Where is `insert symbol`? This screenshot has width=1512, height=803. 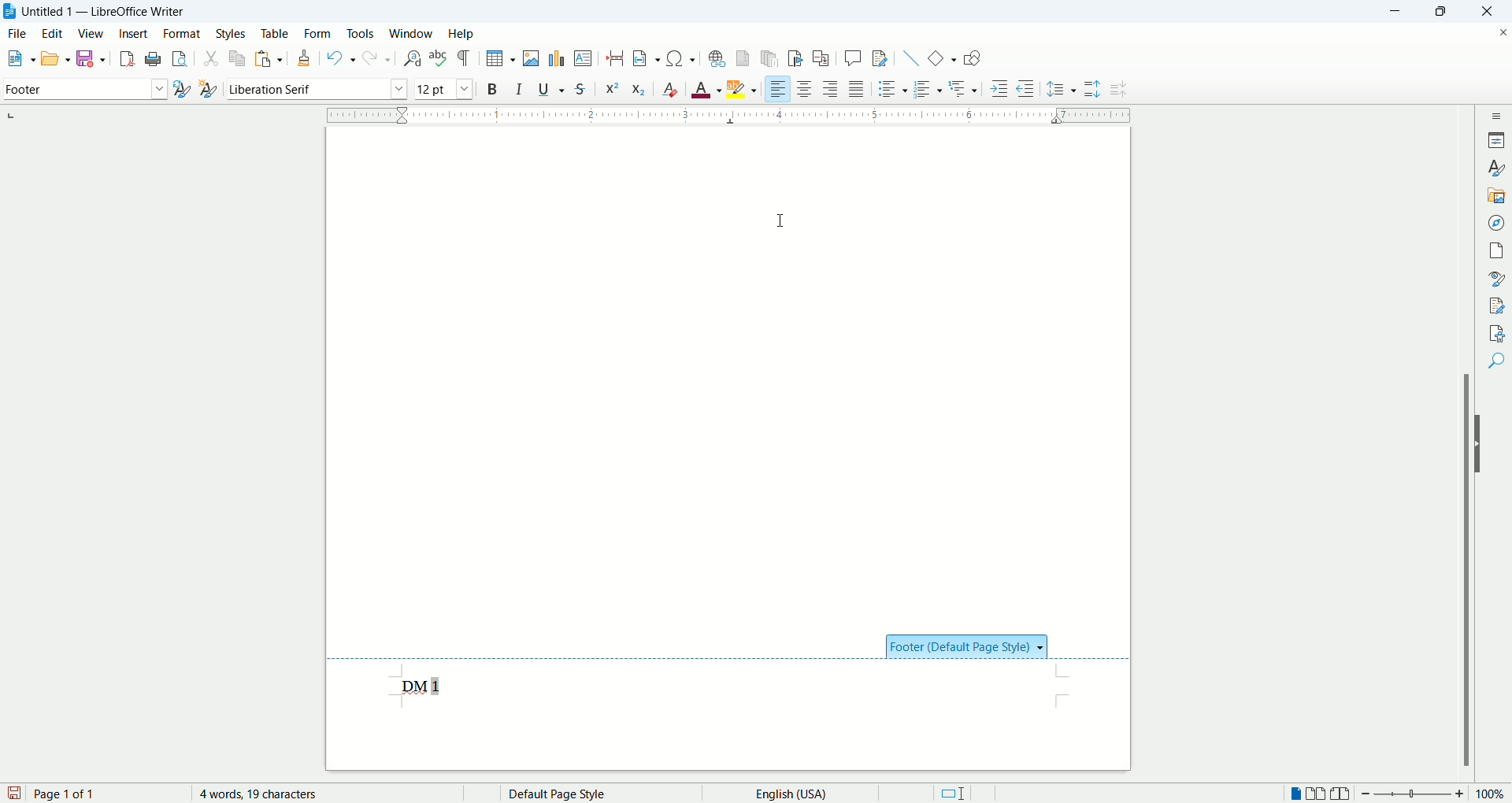 insert symbol is located at coordinates (681, 57).